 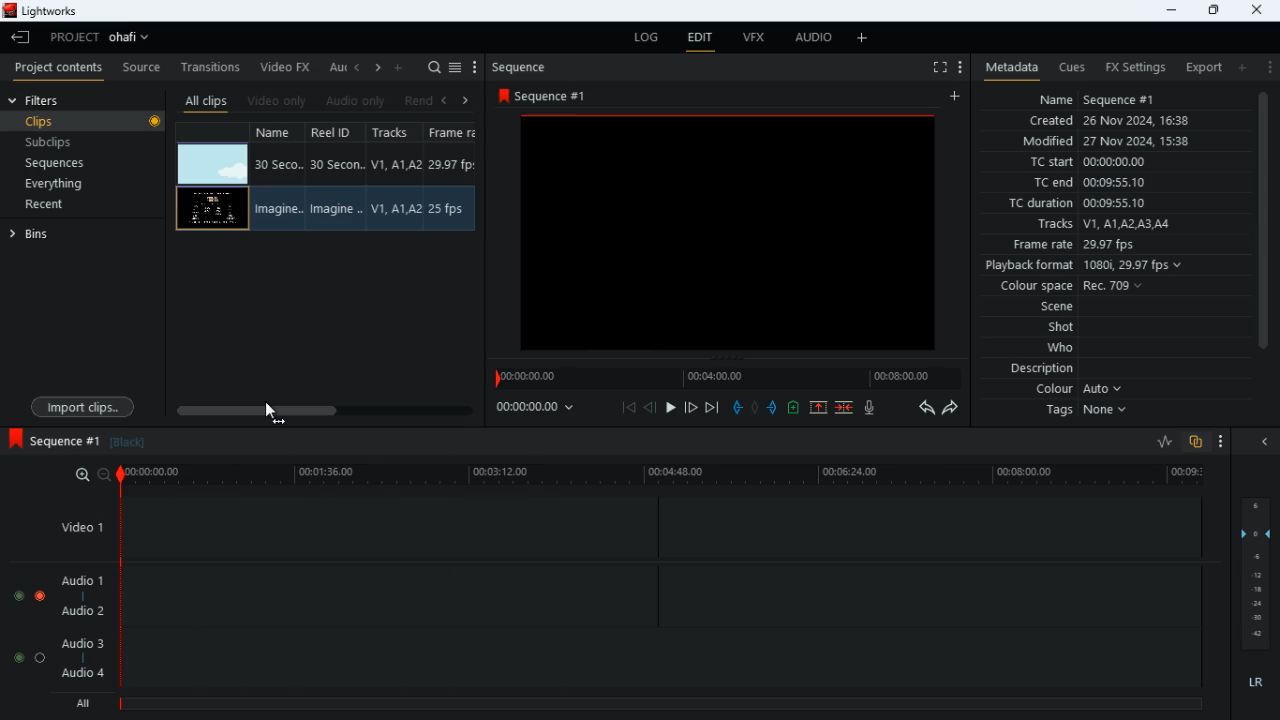 I want to click on playback format, so click(x=1090, y=265).